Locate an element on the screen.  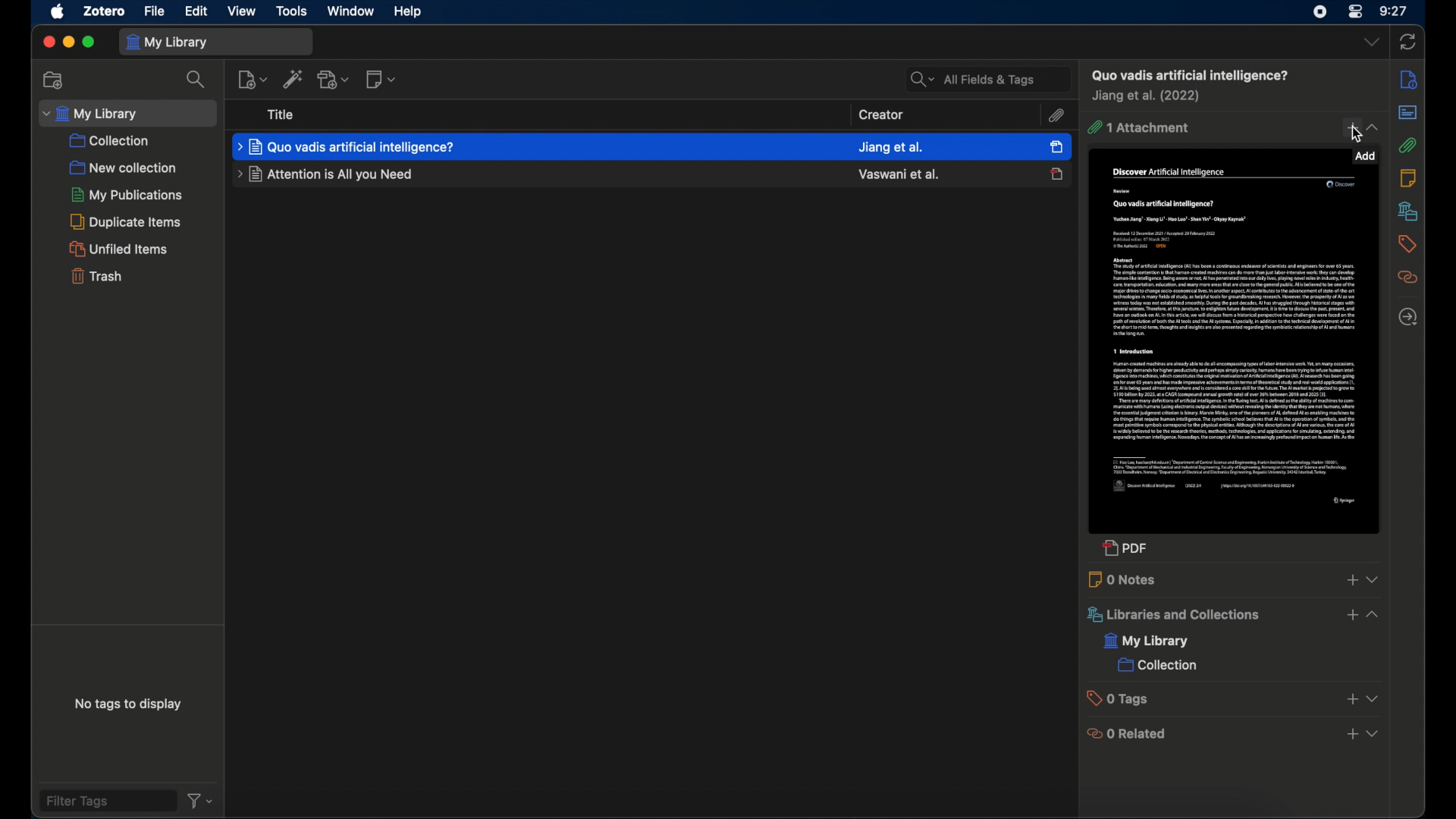
no tags to display is located at coordinates (130, 704).